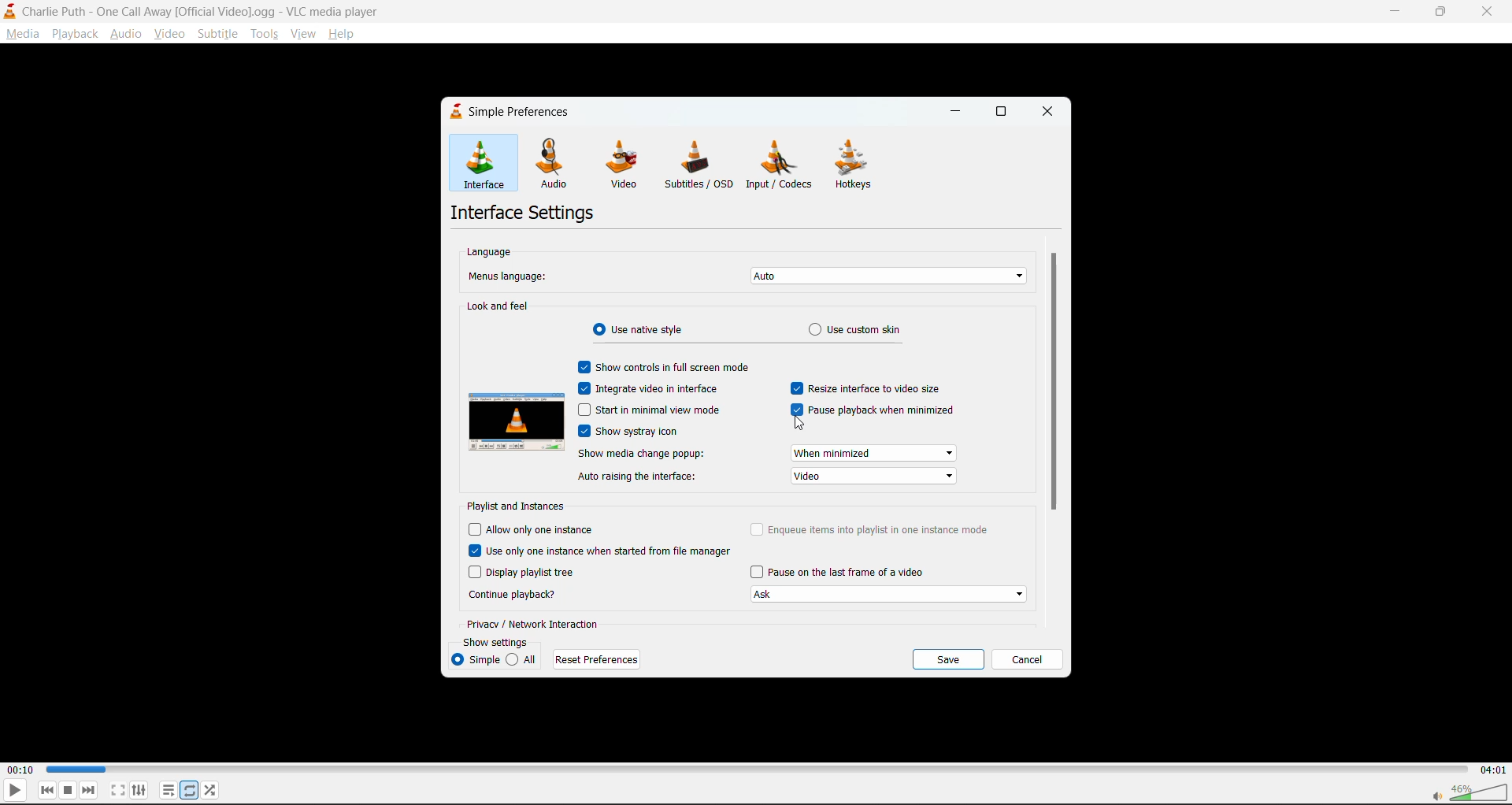 Image resolution: width=1512 pixels, height=805 pixels. I want to click on pause on last frame of video, so click(851, 573).